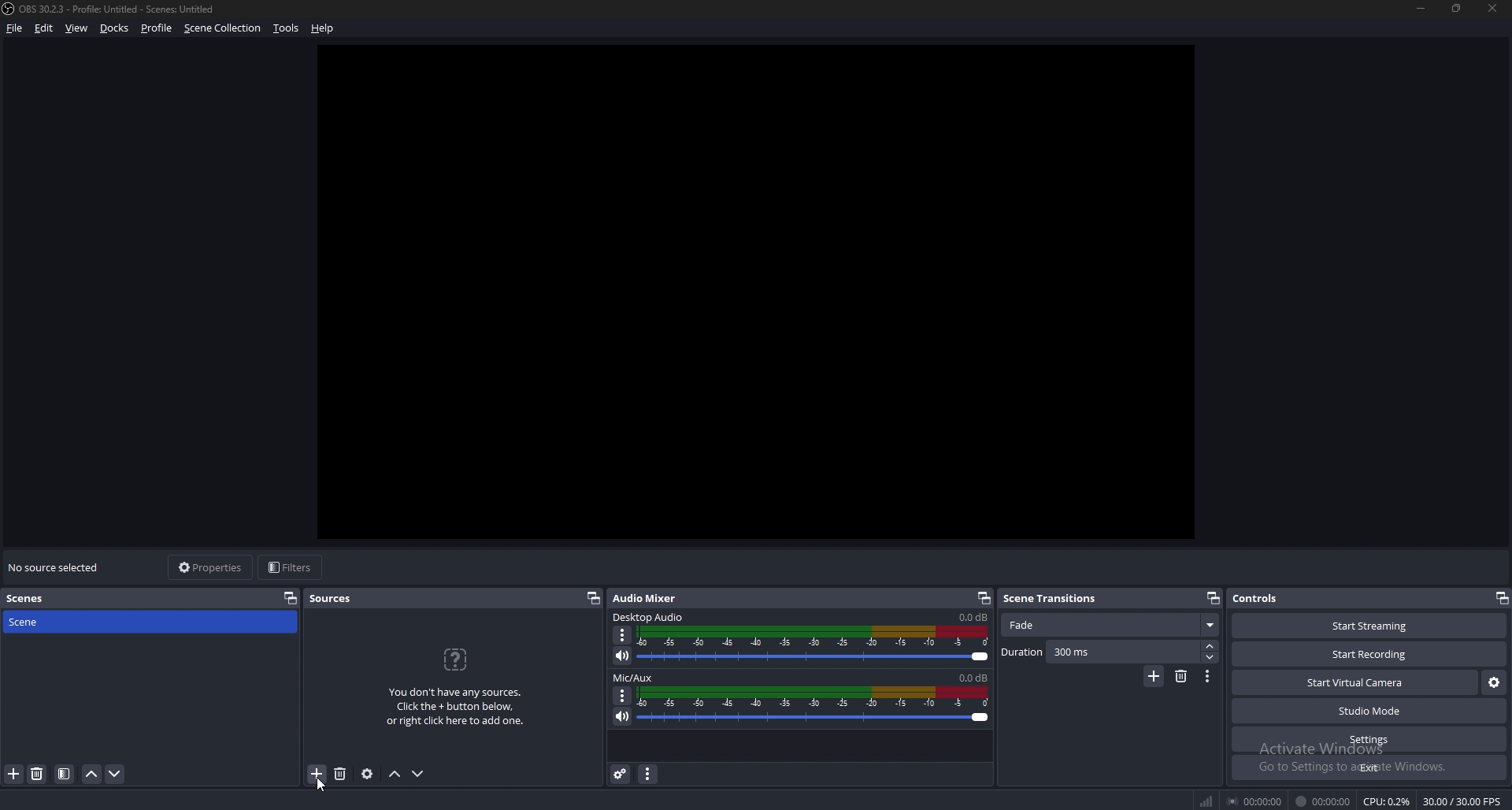 The width and height of the screenshot is (1512, 810). I want to click on Start virtual camera, so click(1354, 682).